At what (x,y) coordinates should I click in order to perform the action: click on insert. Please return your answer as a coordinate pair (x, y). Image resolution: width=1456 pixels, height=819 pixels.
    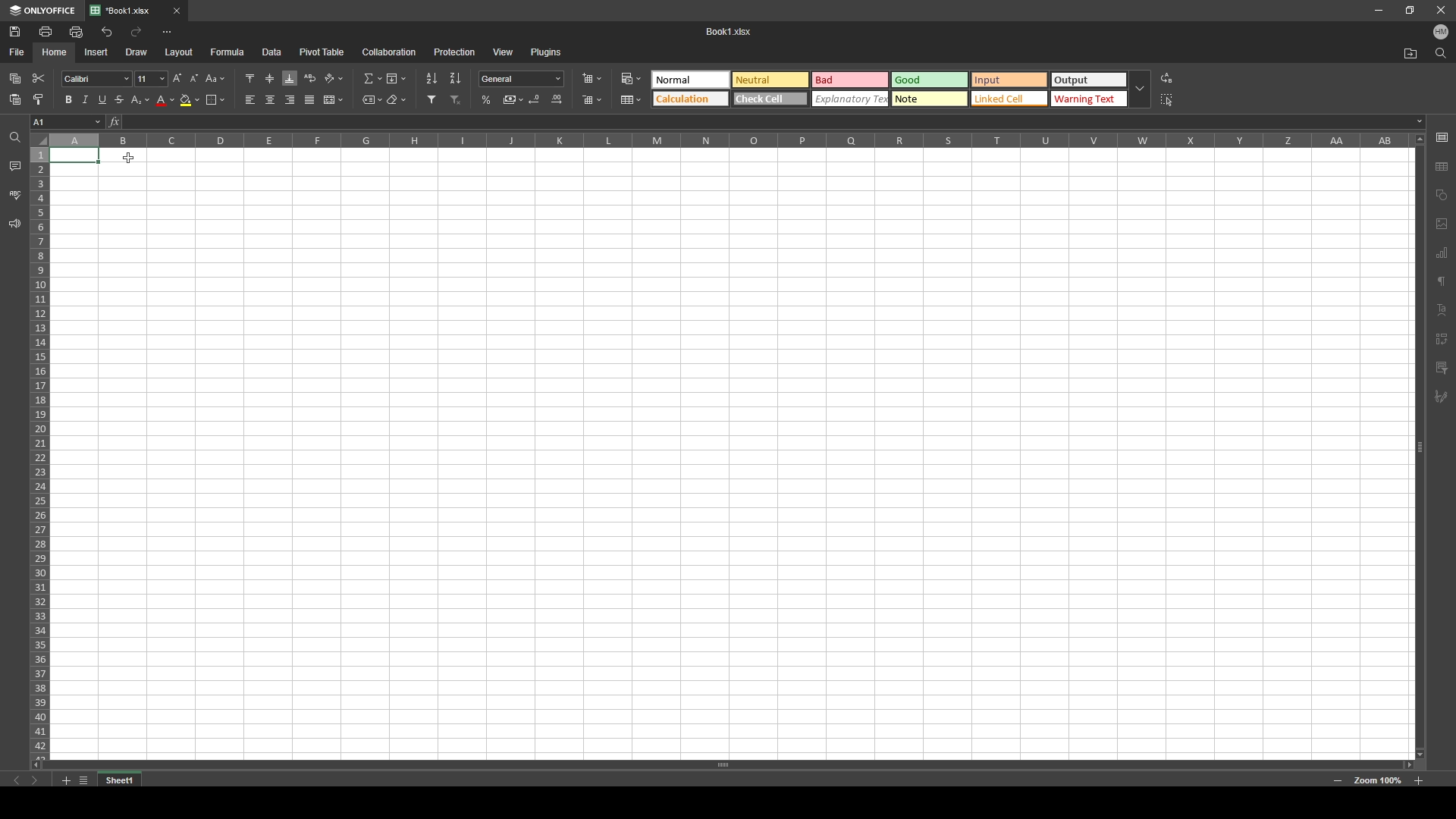
    Looking at the image, I should click on (97, 52).